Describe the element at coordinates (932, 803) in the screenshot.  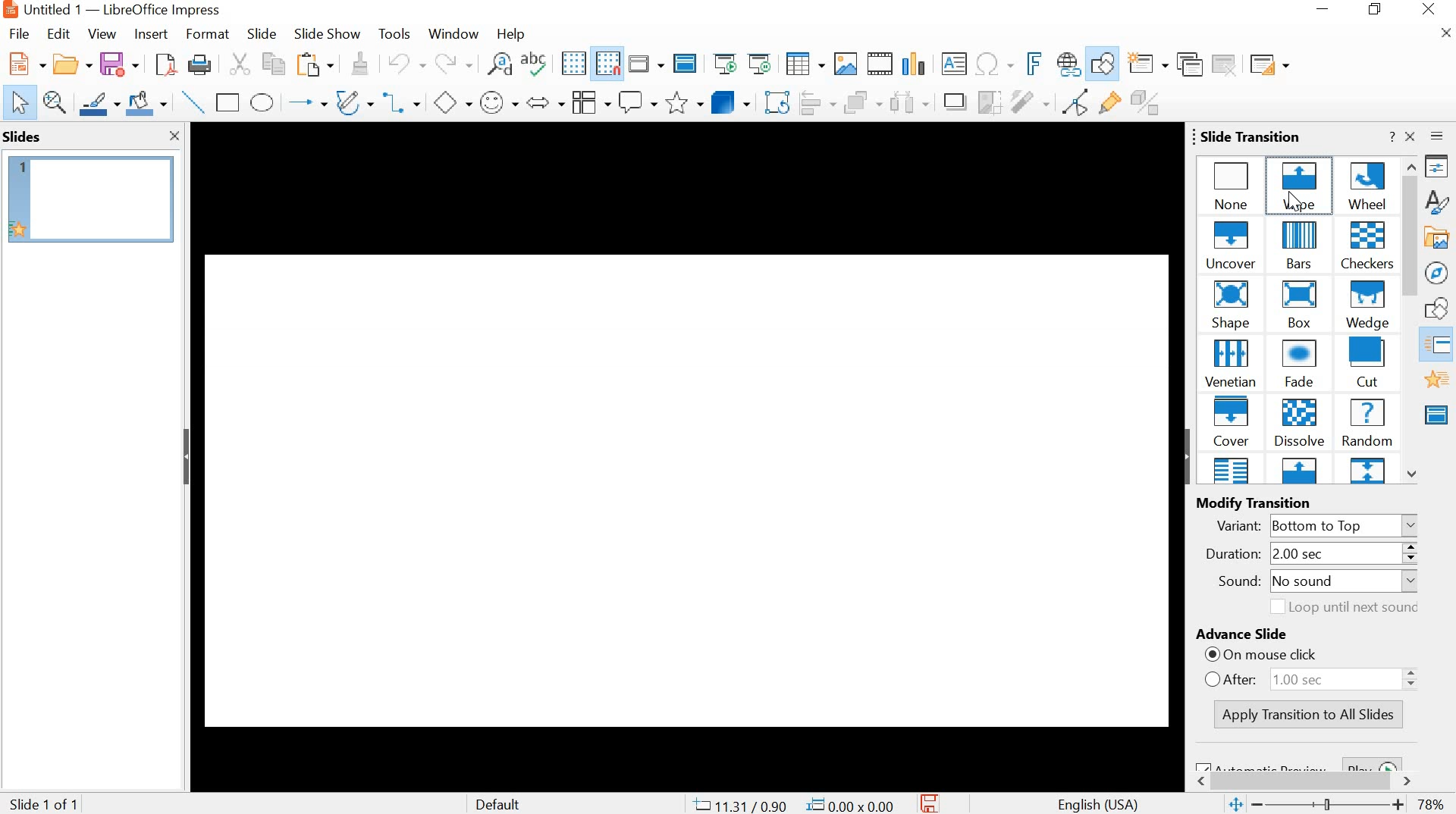
I see `SAVE DOC` at that location.